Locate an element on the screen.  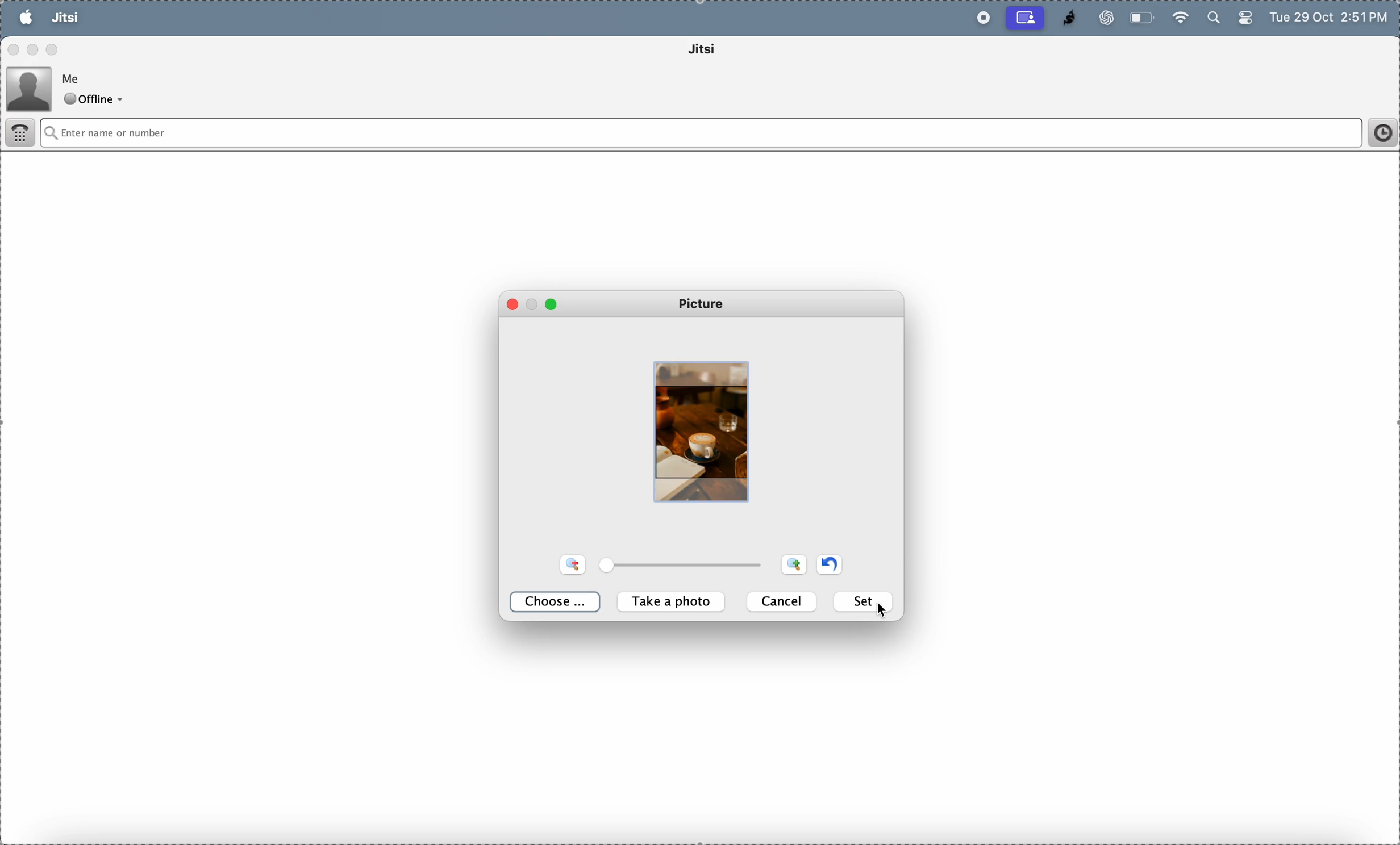
help is located at coordinates (205, 18).